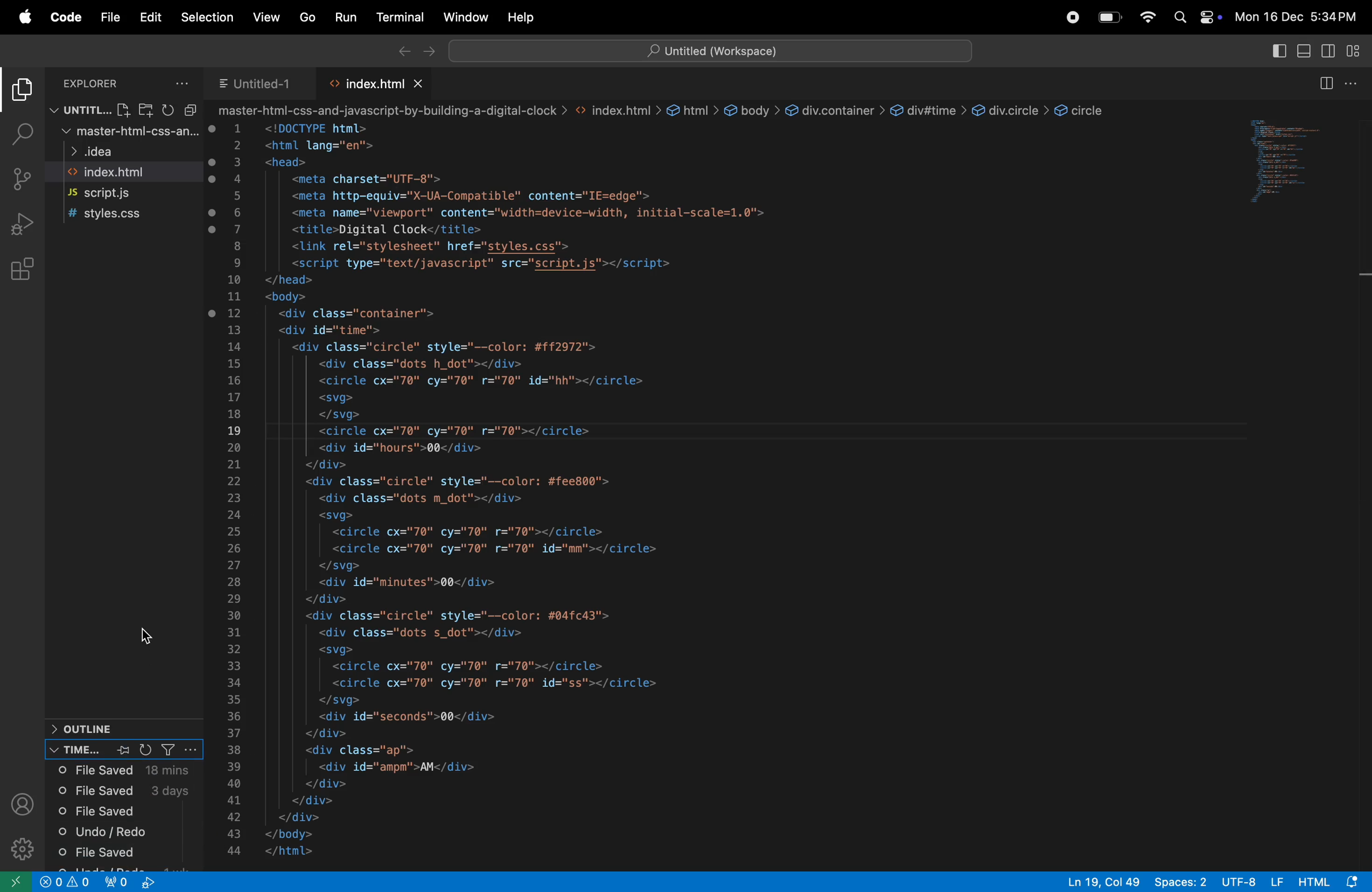 Image resolution: width=1372 pixels, height=892 pixels. I want to click on Explorer, so click(120, 84).